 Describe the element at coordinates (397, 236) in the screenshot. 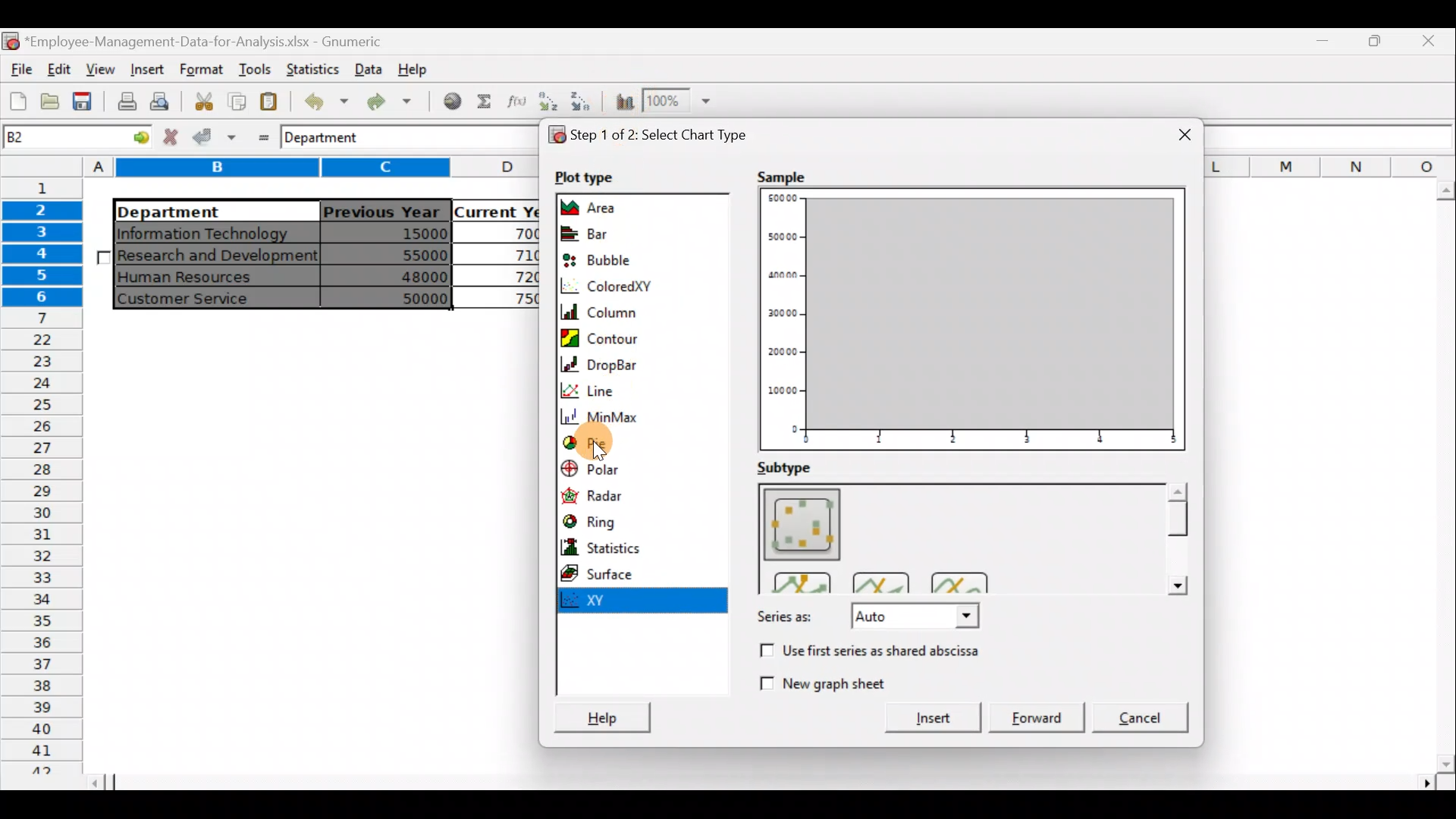

I see `15000` at that location.